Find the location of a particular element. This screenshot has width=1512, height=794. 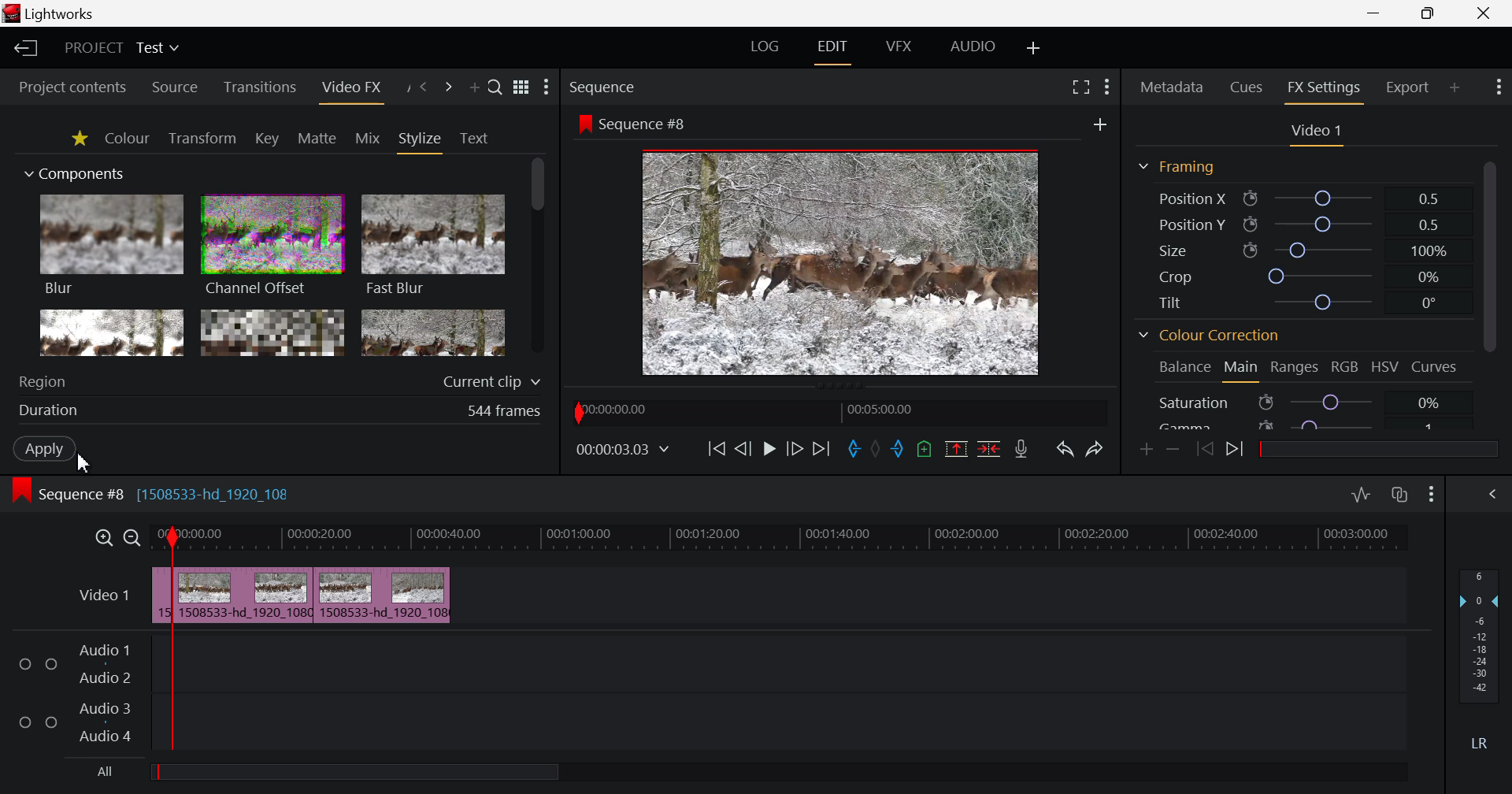

Show Settings is located at coordinates (1432, 496).